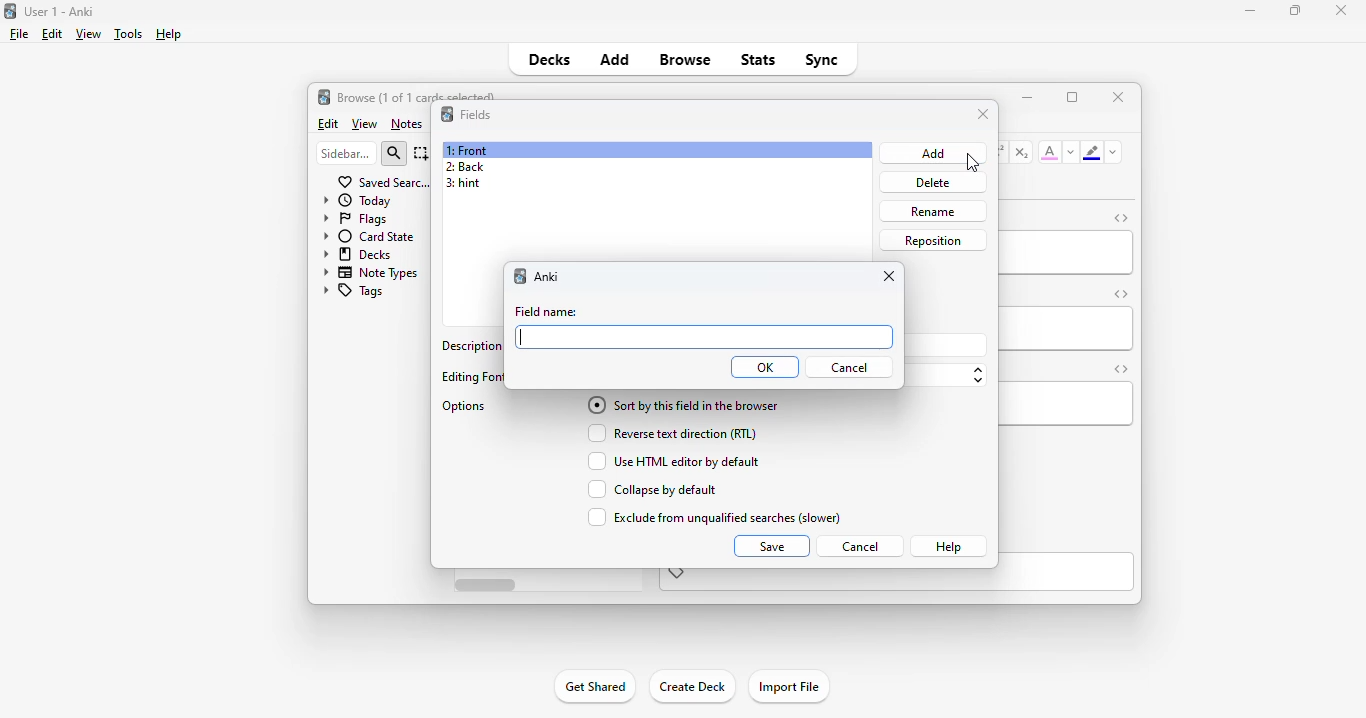 The width and height of the screenshot is (1366, 718). What do you see at coordinates (948, 546) in the screenshot?
I see `help` at bounding box center [948, 546].